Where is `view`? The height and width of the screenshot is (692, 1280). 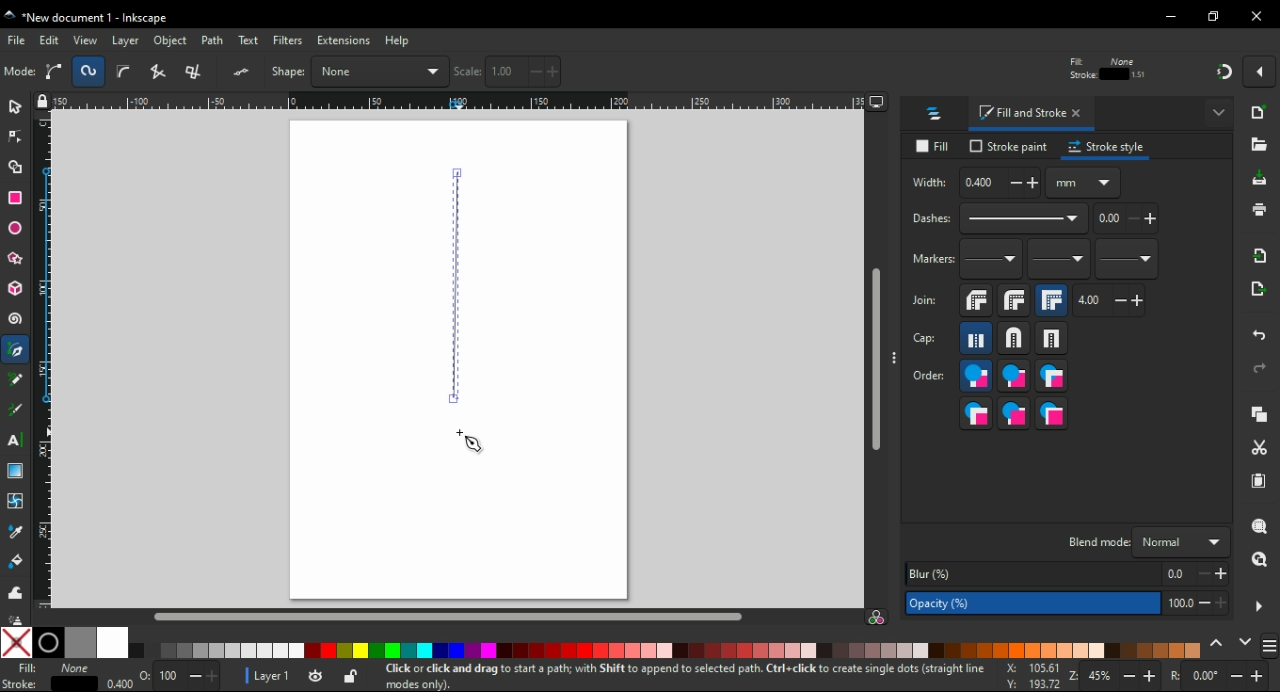
view is located at coordinates (86, 40).